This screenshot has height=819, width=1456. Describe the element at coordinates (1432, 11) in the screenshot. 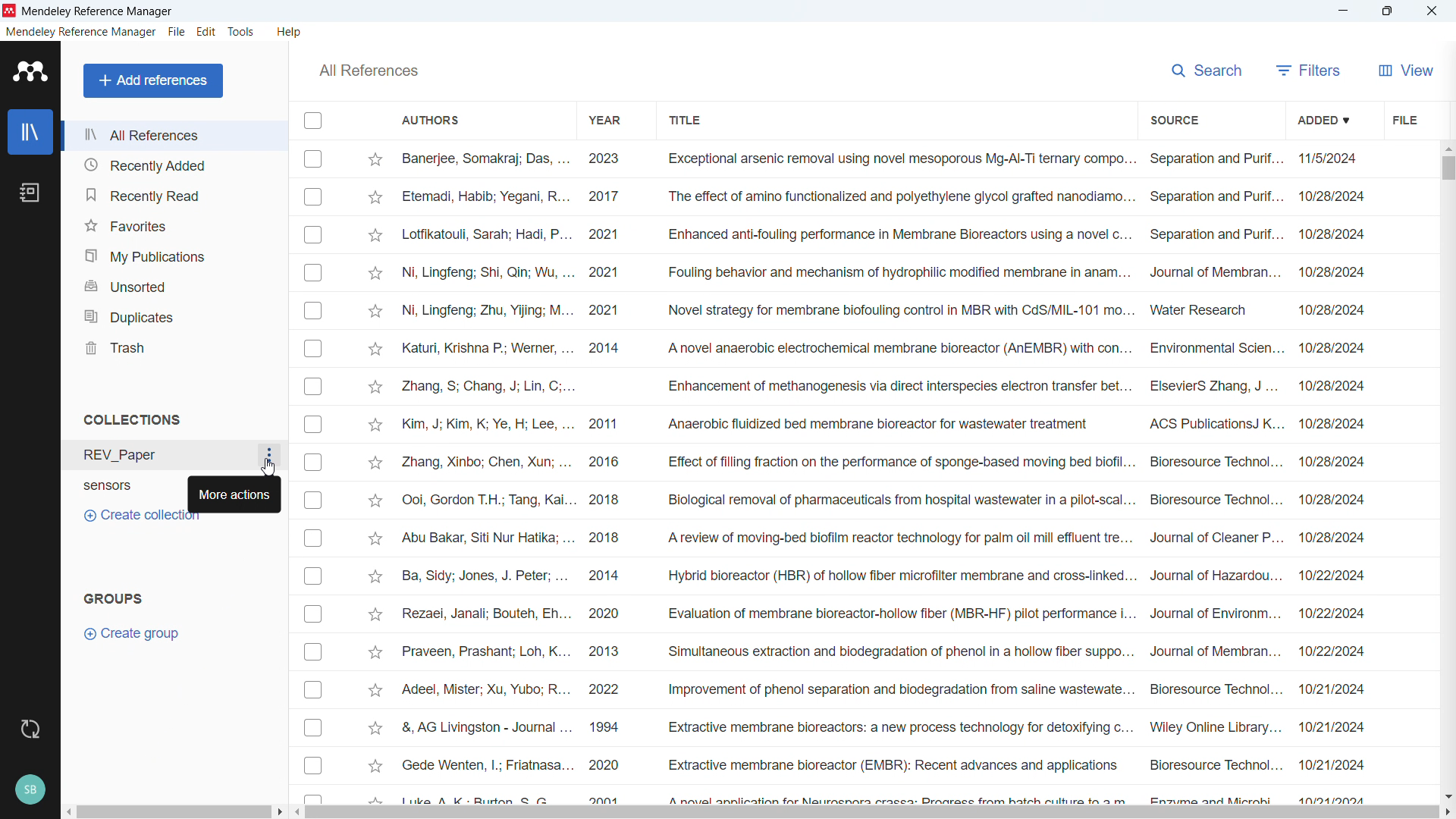

I see `Close ` at that location.